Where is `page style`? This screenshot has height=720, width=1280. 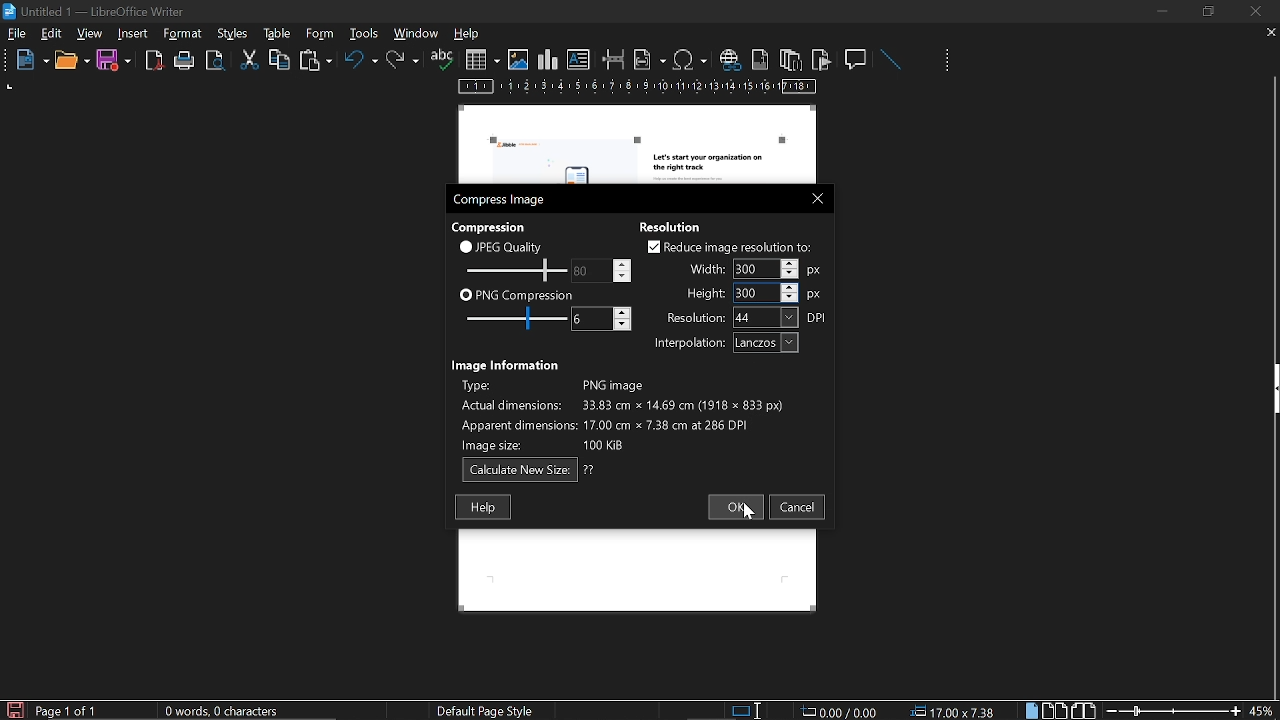 page style is located at coordinates (489, 710).